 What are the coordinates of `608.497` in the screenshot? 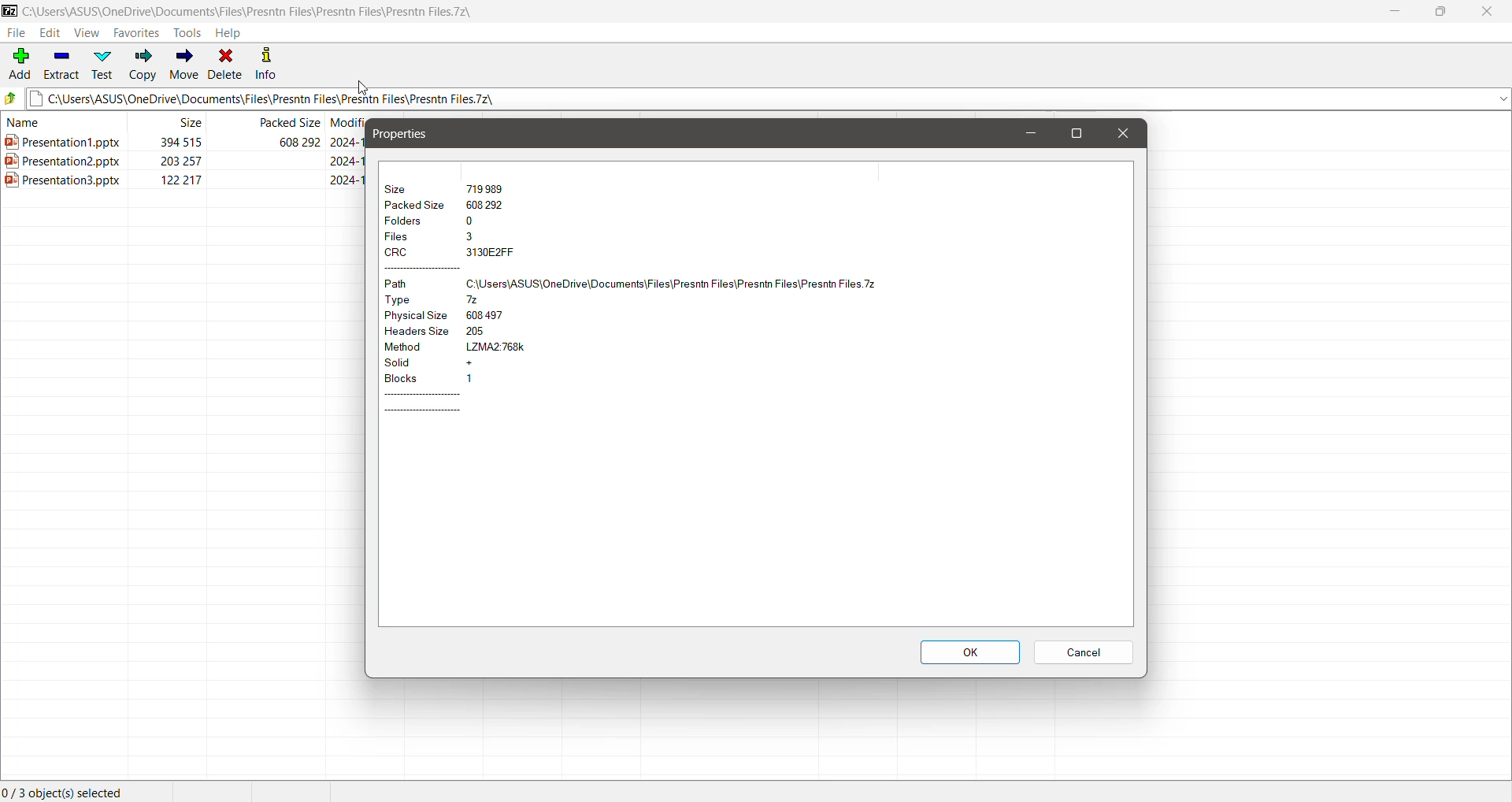 It's located at (495, 314).